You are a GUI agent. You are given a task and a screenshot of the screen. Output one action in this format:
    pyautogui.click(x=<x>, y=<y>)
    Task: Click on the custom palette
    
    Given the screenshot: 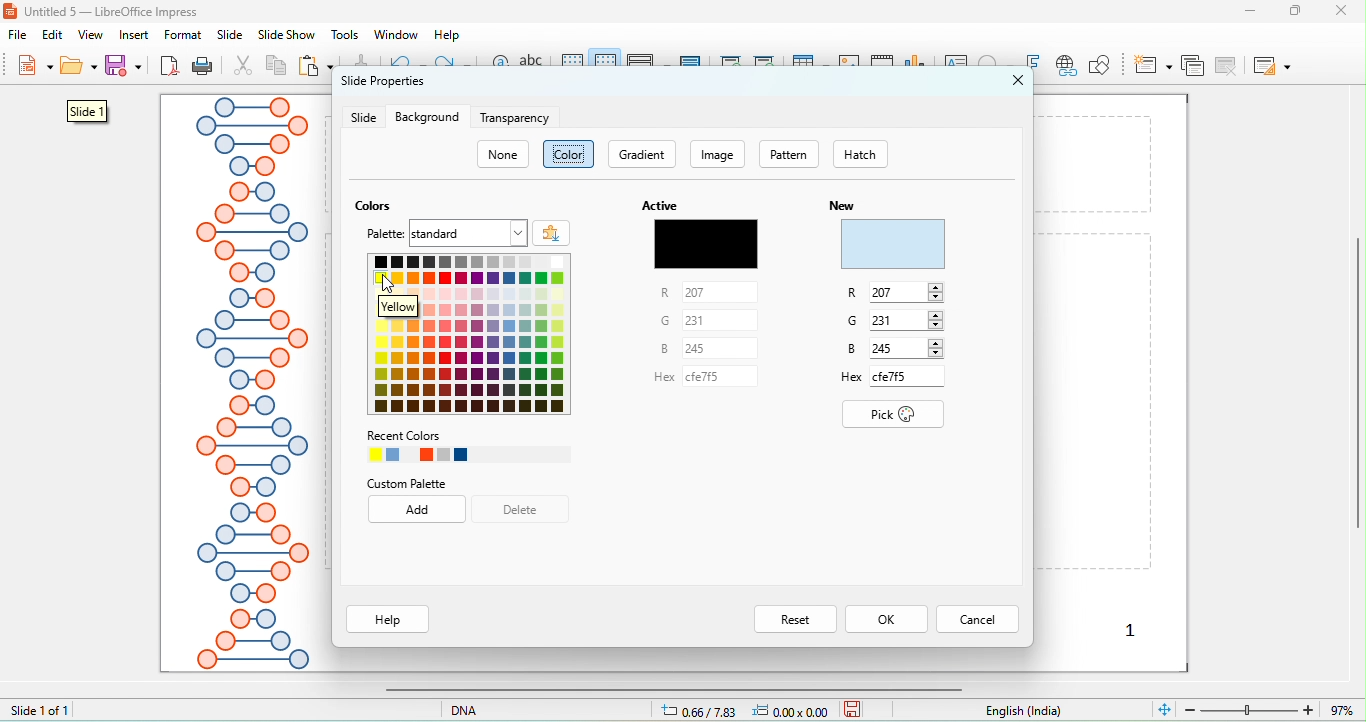 What is the action you would take?
    pyautogui.click(x=406, y=484)
    